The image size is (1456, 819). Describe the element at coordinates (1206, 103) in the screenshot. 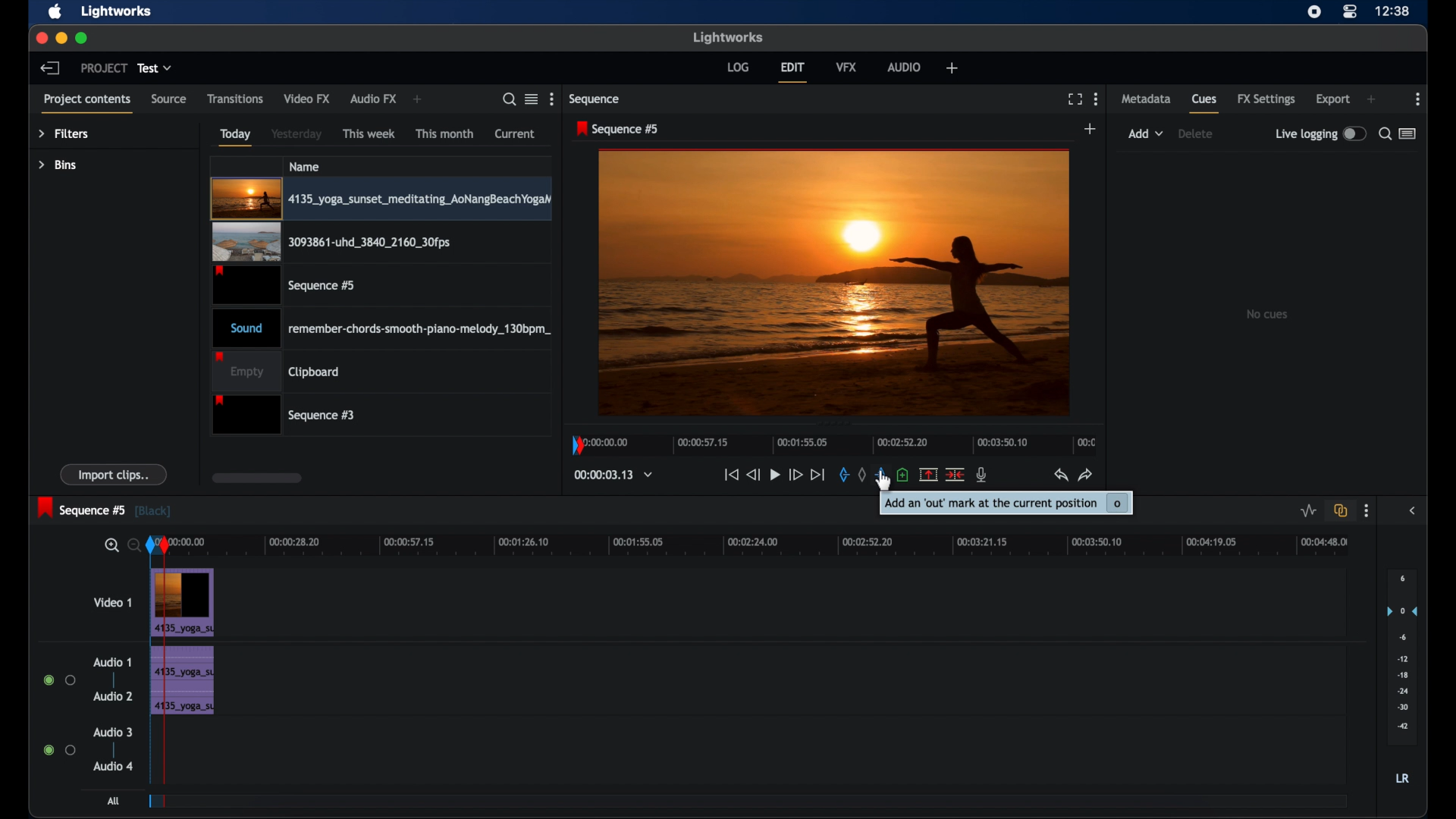

I see `cues` at that location.